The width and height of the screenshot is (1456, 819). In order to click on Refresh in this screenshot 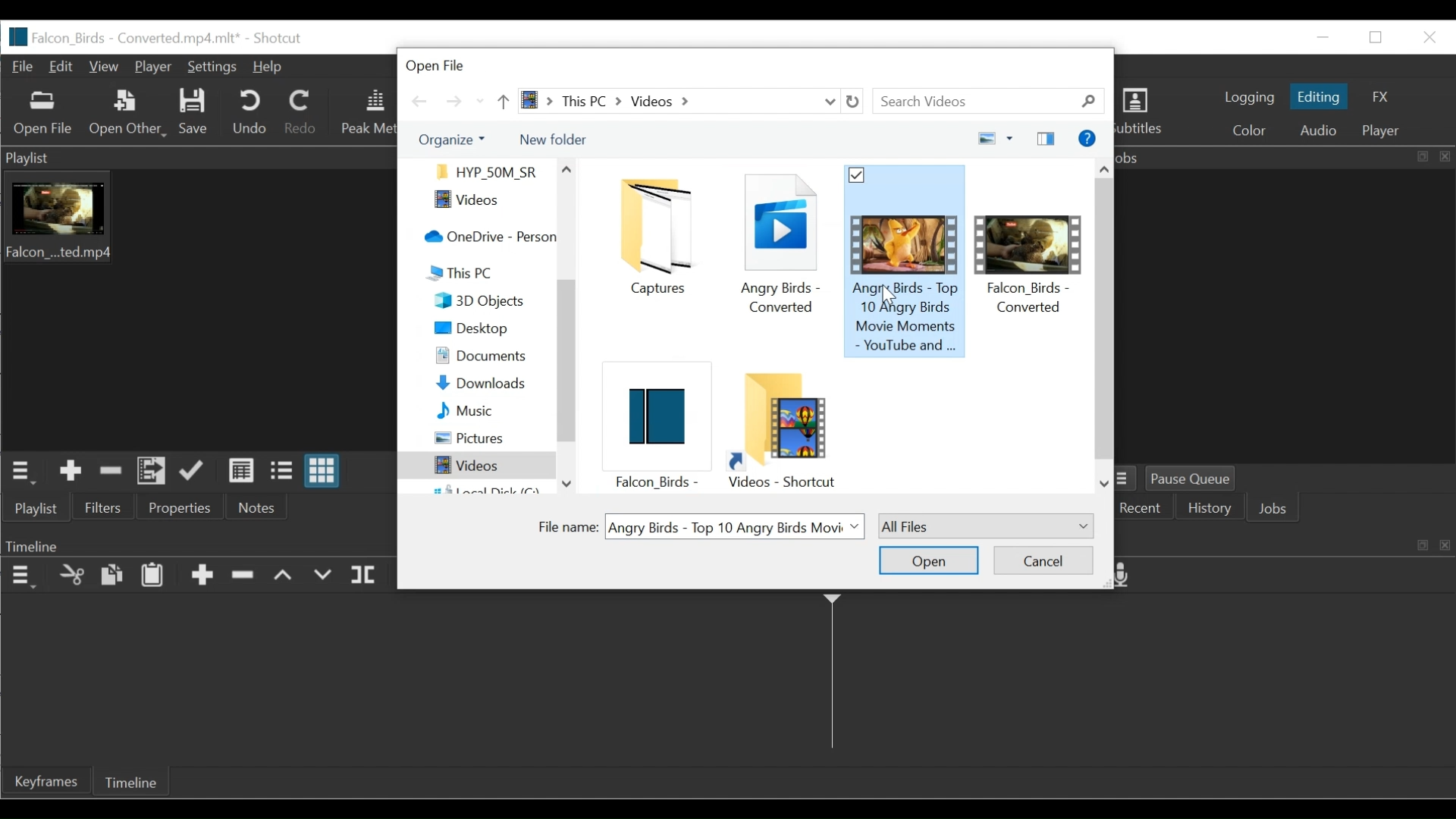, I will do `click(857, 102)`.